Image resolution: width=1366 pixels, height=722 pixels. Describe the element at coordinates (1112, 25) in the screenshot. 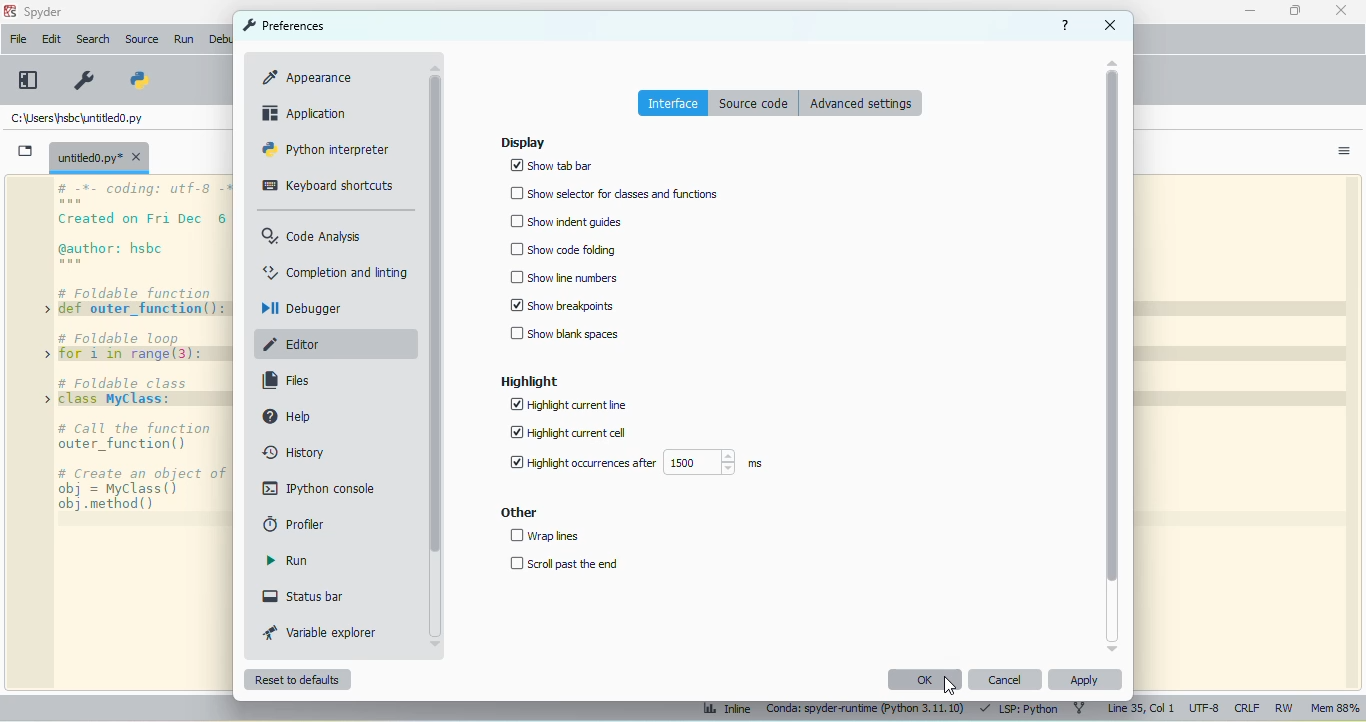

I see `close` at that location.